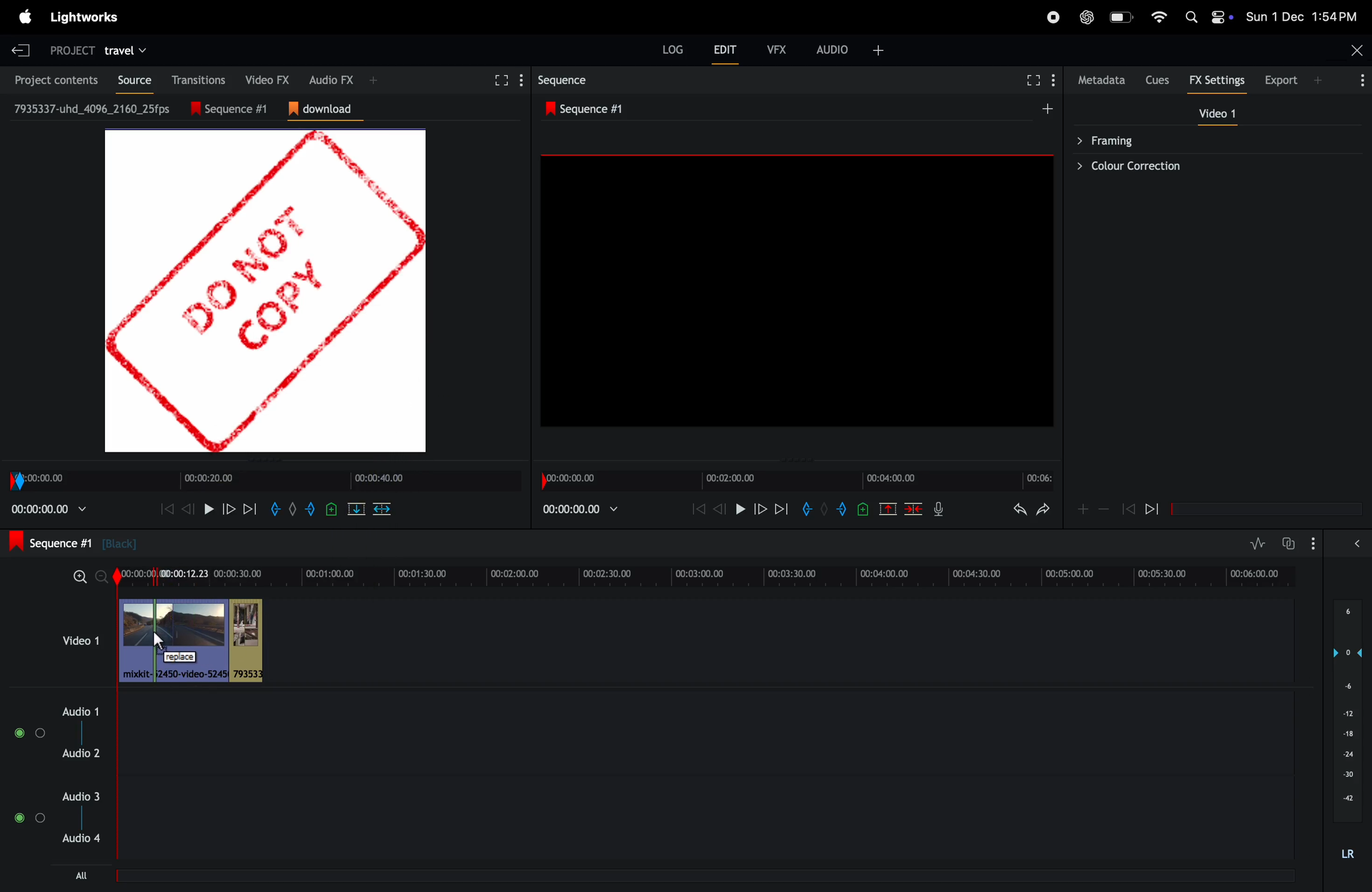 Image resolution: width=1372 pixels, height=892 pixels. Describe the element at coordinates (1217, 113) in the screenshot. I see `video` at that location.